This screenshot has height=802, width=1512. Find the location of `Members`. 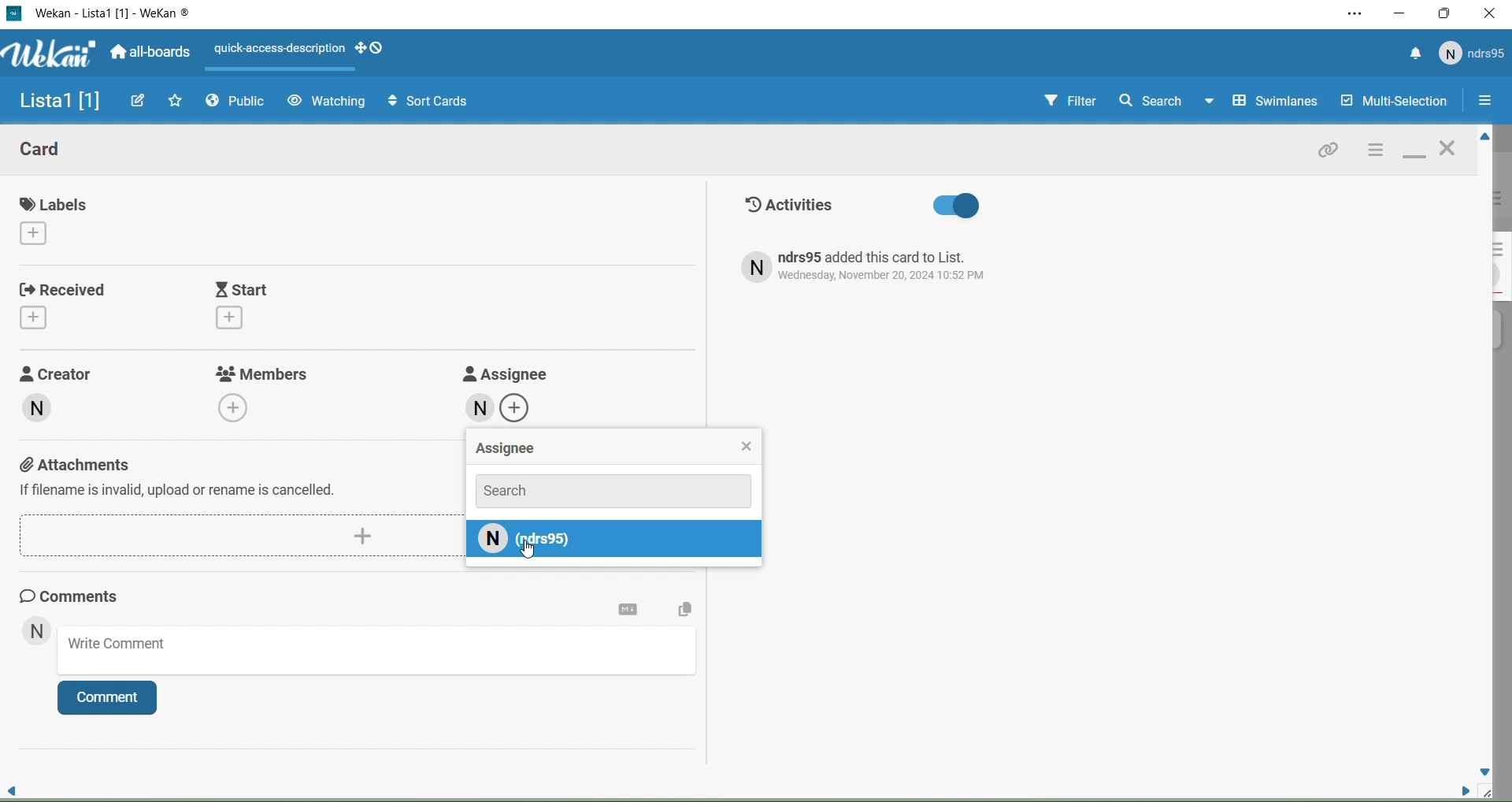

Members is located at coordinates (266, 392).